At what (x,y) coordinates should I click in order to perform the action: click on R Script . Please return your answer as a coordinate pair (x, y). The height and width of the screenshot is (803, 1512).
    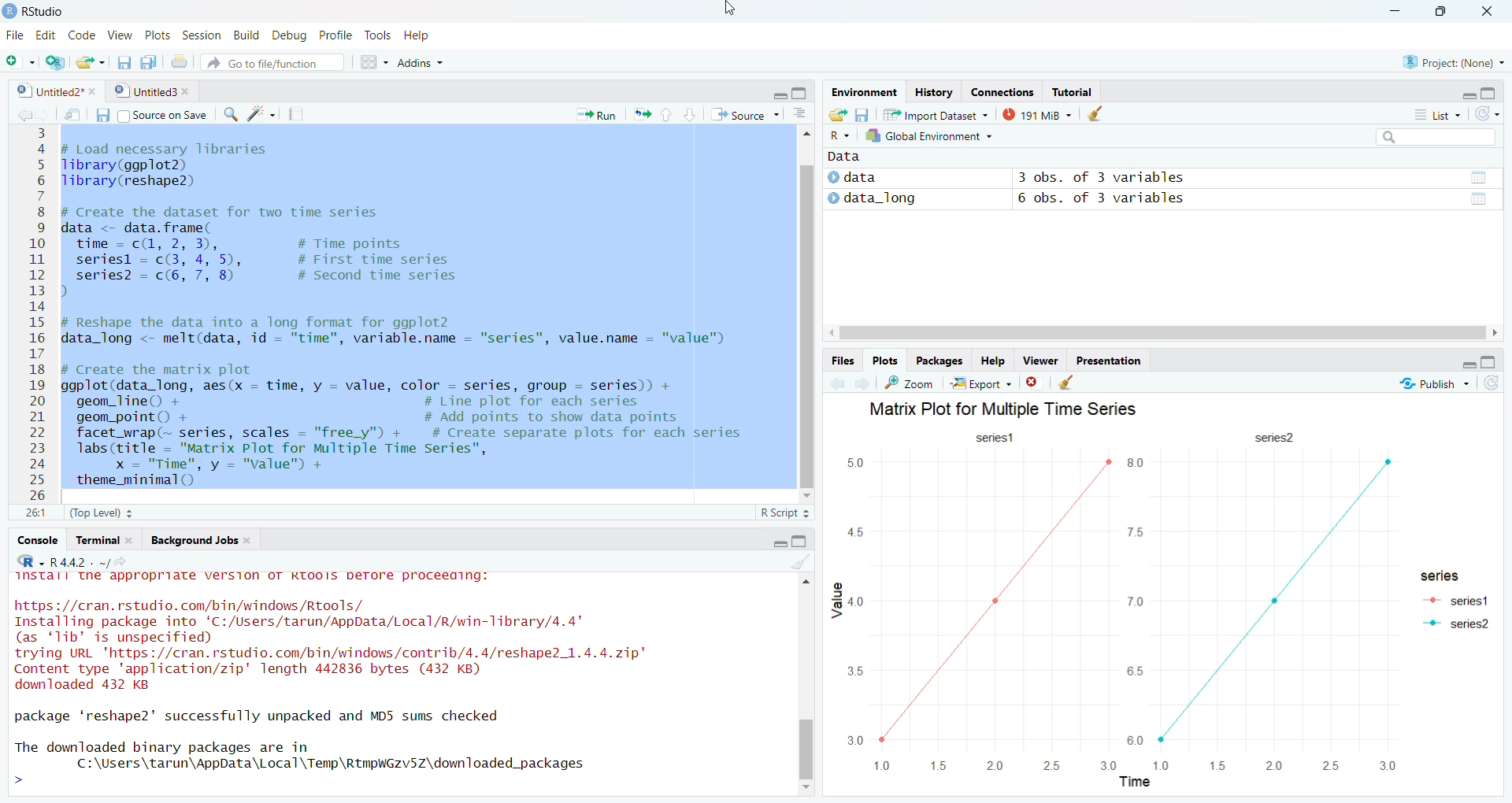
    Looking at the image, I should click on (784, 513).